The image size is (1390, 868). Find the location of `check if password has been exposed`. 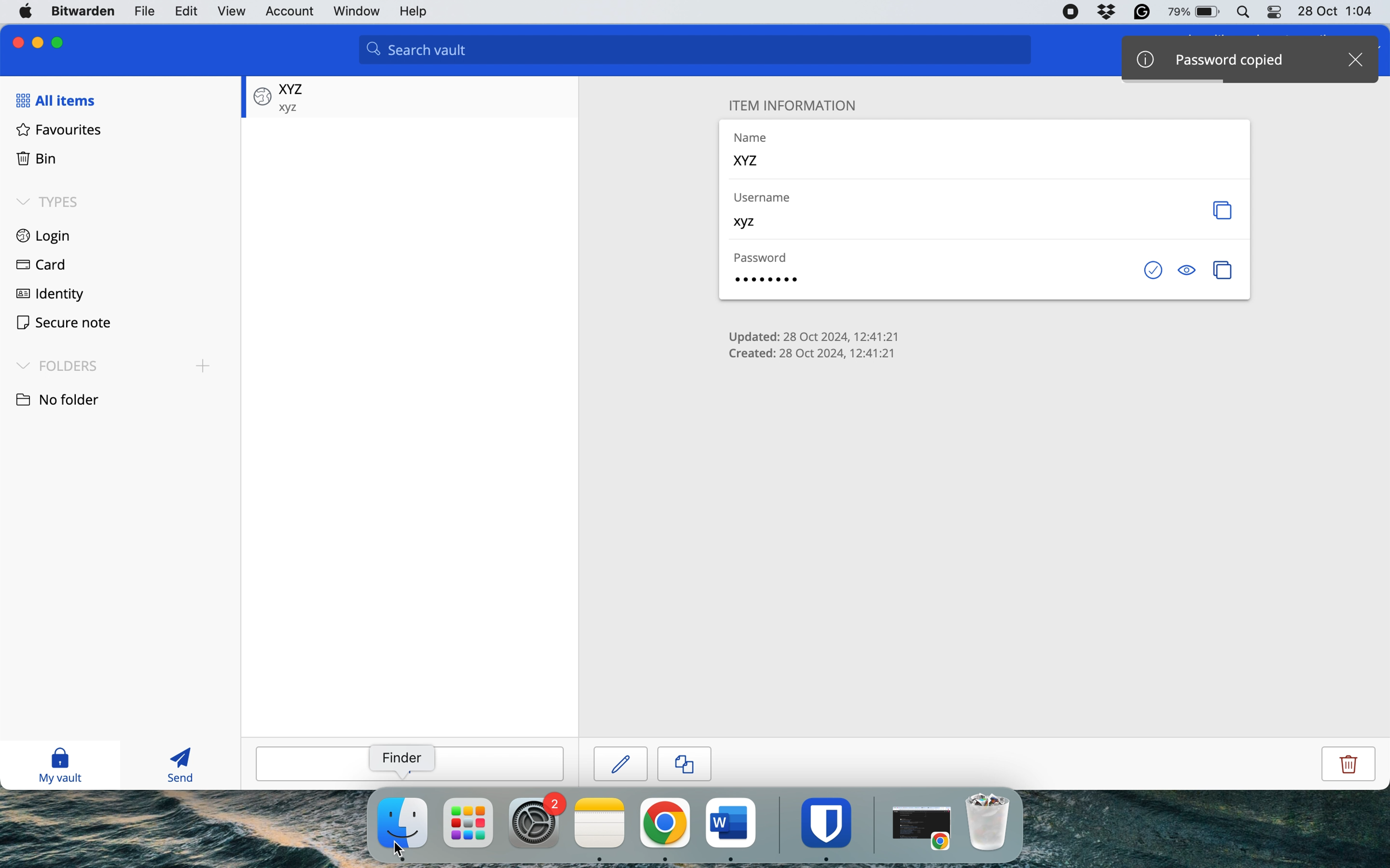

check if password has been exposed is located at coordinates (1149, 270).